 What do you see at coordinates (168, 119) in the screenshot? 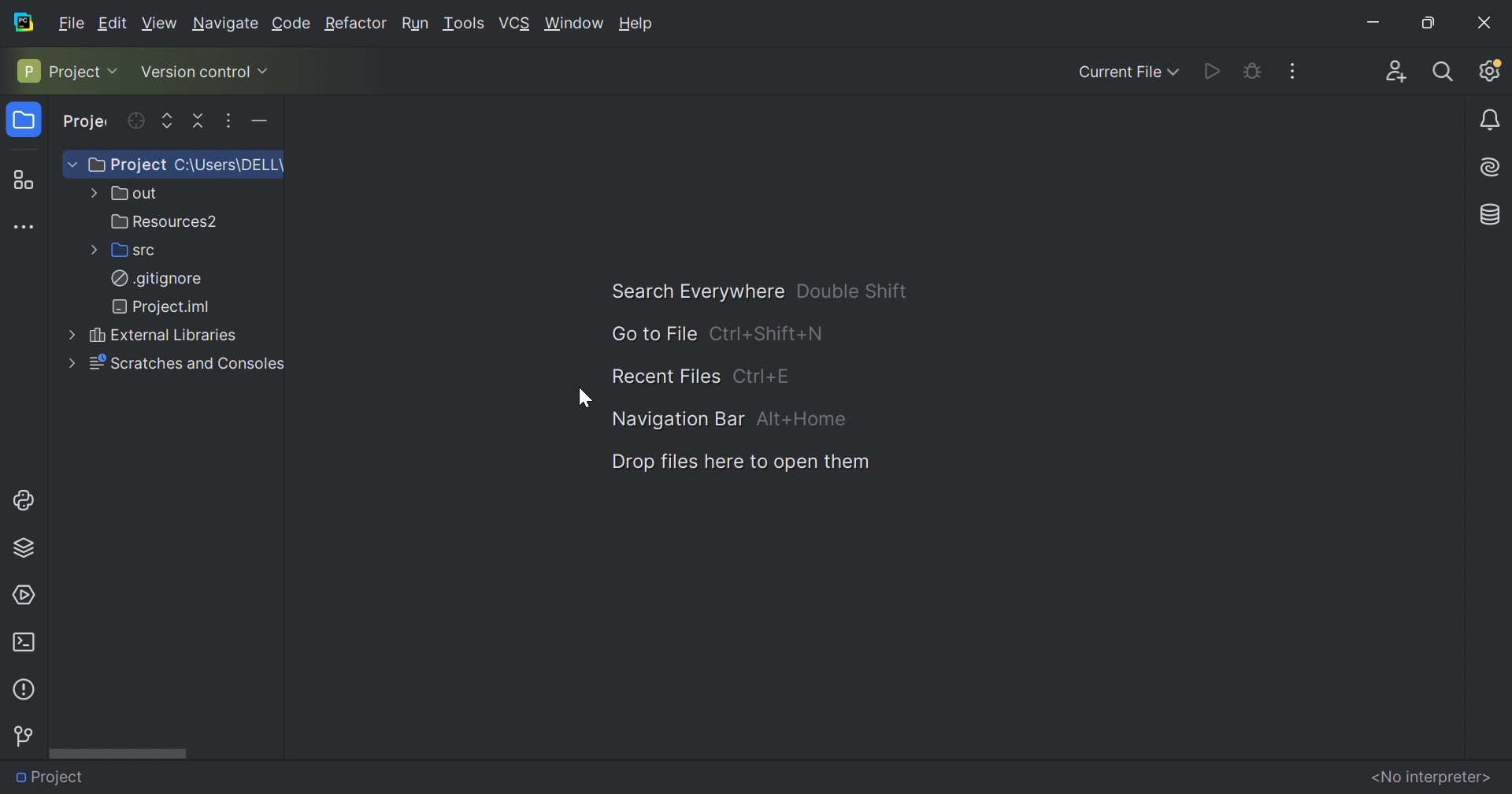
I see `Expand selected` at bounding box center [168, 119].